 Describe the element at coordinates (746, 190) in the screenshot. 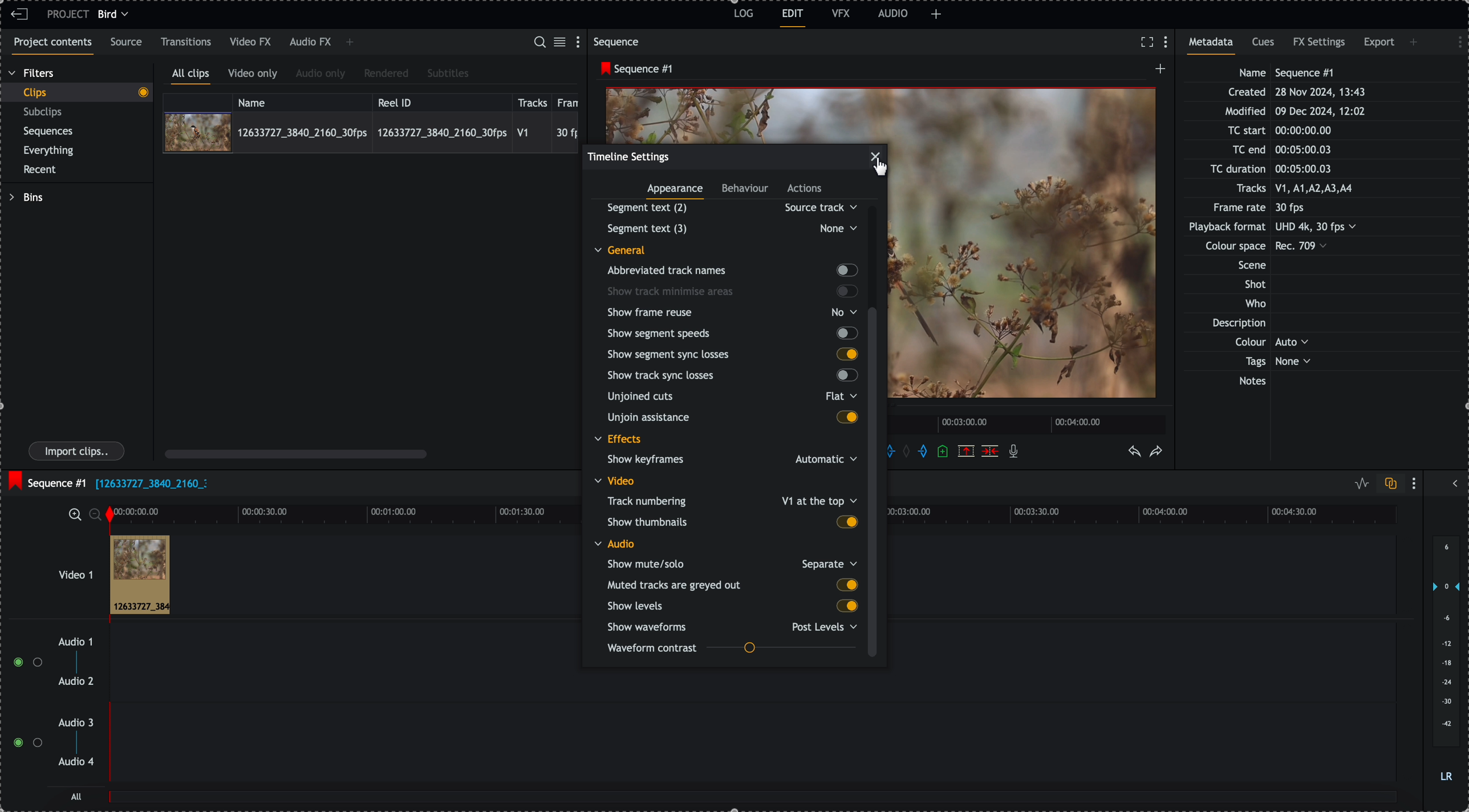

I see `behaviour` at that location.